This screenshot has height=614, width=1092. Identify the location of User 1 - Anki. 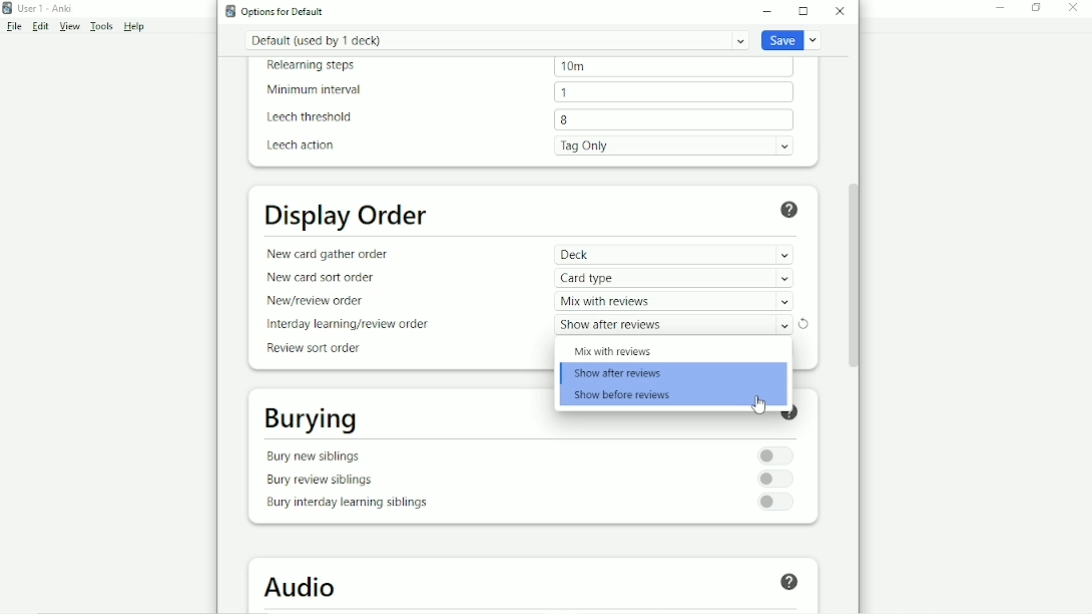
(45, 8).